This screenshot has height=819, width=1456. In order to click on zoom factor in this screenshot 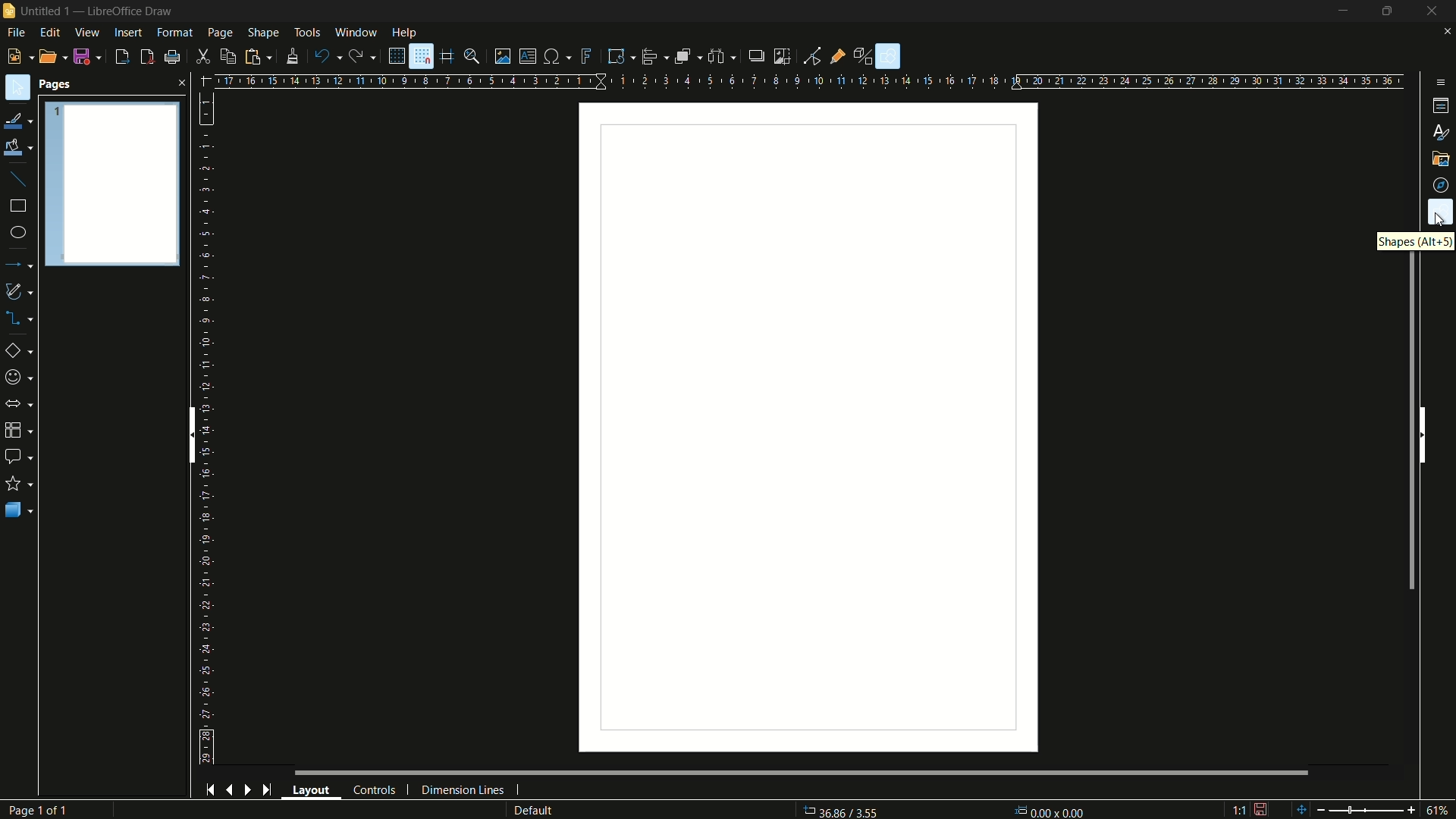, I will do `click(1441, 810)`.